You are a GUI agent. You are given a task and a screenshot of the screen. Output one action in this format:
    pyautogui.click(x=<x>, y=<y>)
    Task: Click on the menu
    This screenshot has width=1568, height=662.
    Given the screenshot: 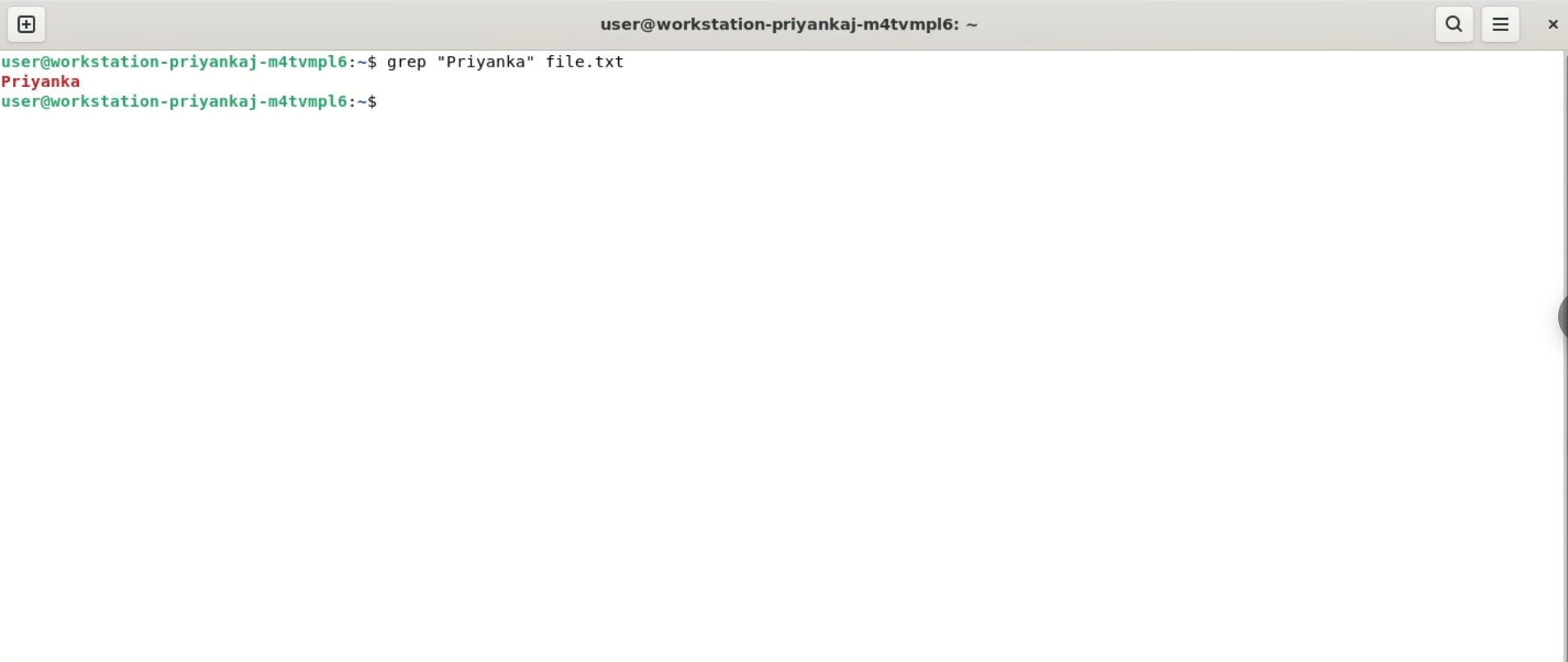 What is the action you would take?
    pyautogui.click(x=1502, y=25)
    